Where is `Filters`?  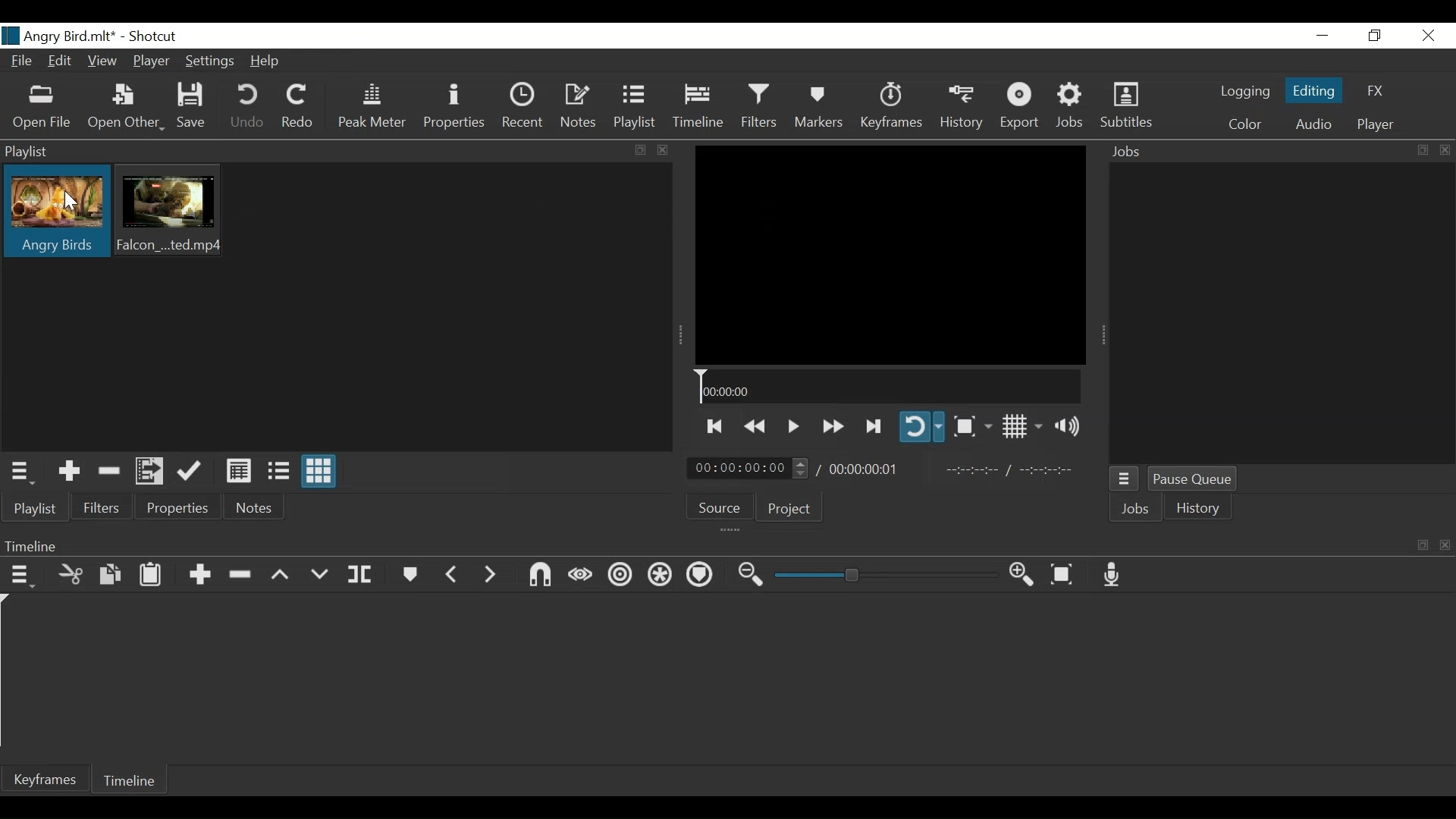 Filters is located at coordinates (757, 108).